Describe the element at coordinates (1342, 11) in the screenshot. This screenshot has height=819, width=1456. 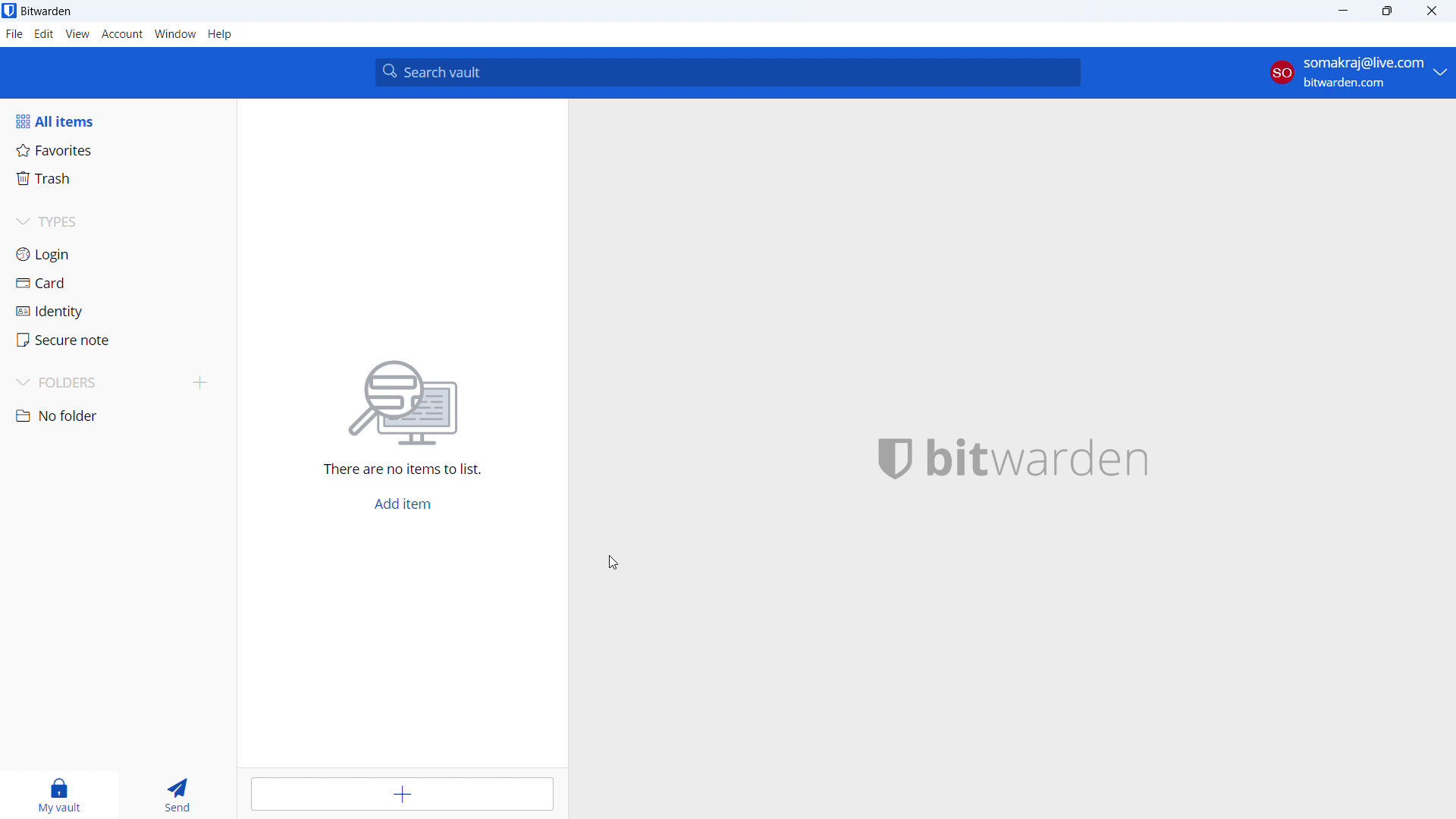
I see `minimize` at that location.